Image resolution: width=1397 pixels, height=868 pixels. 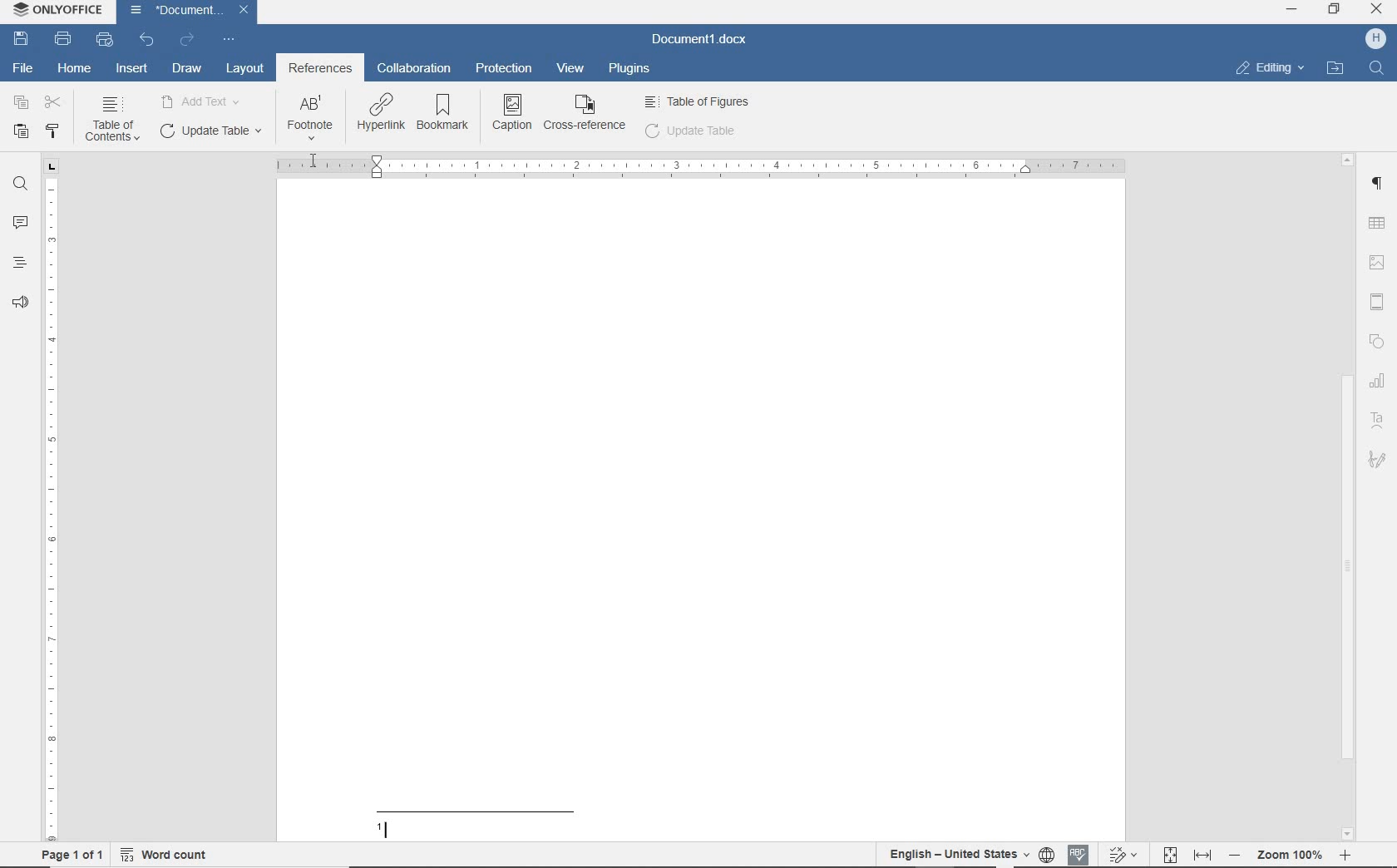 What do you see at coordinates (413, 70) in the screenshot?
I see `collaboration` at bounding box center [413, 70].